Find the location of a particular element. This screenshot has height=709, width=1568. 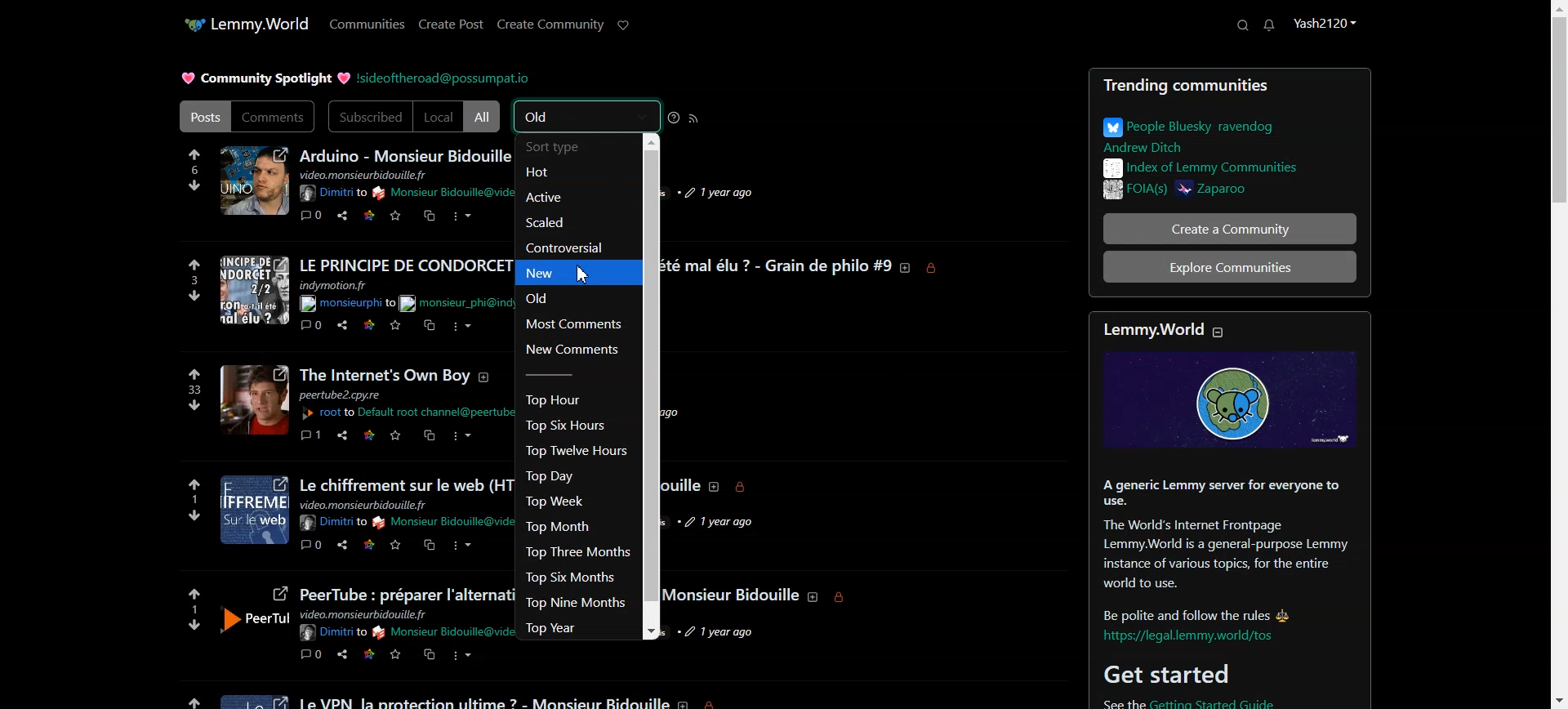

Active is located at coordinates (564, 197).